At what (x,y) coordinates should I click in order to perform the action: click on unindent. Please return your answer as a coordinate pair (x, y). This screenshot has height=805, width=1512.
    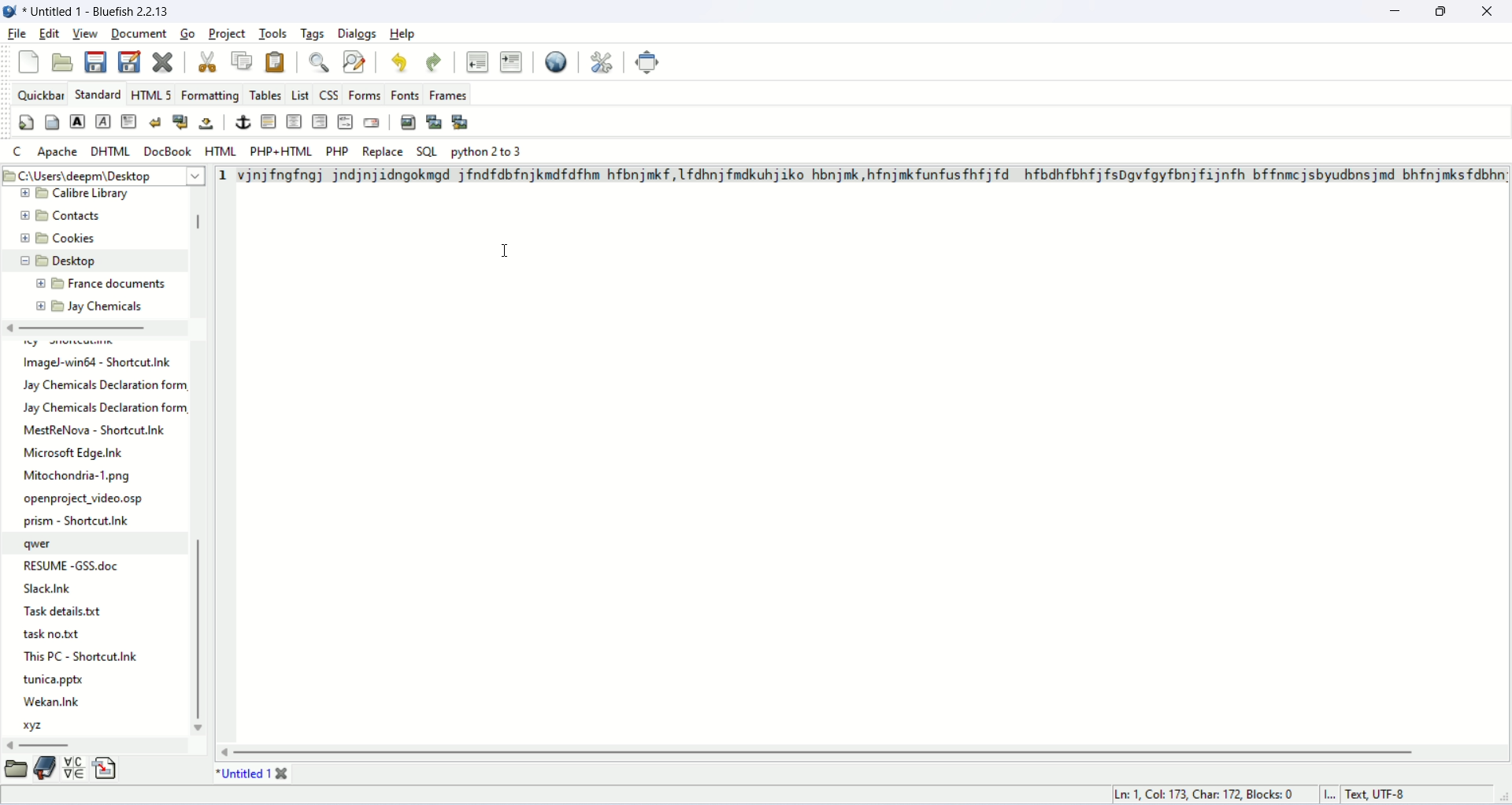
    Looking at the image, I should click on (476, 61).